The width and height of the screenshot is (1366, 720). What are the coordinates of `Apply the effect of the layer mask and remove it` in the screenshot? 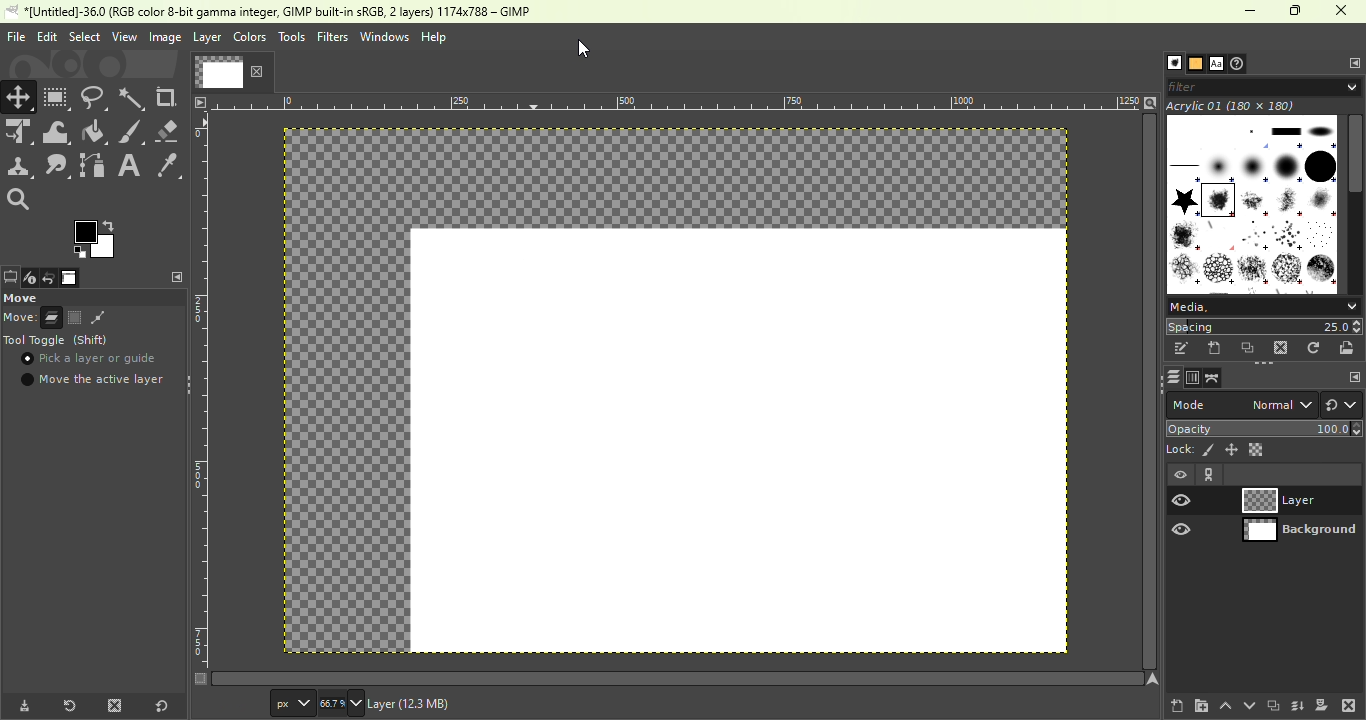 It's located at (1322, 704).